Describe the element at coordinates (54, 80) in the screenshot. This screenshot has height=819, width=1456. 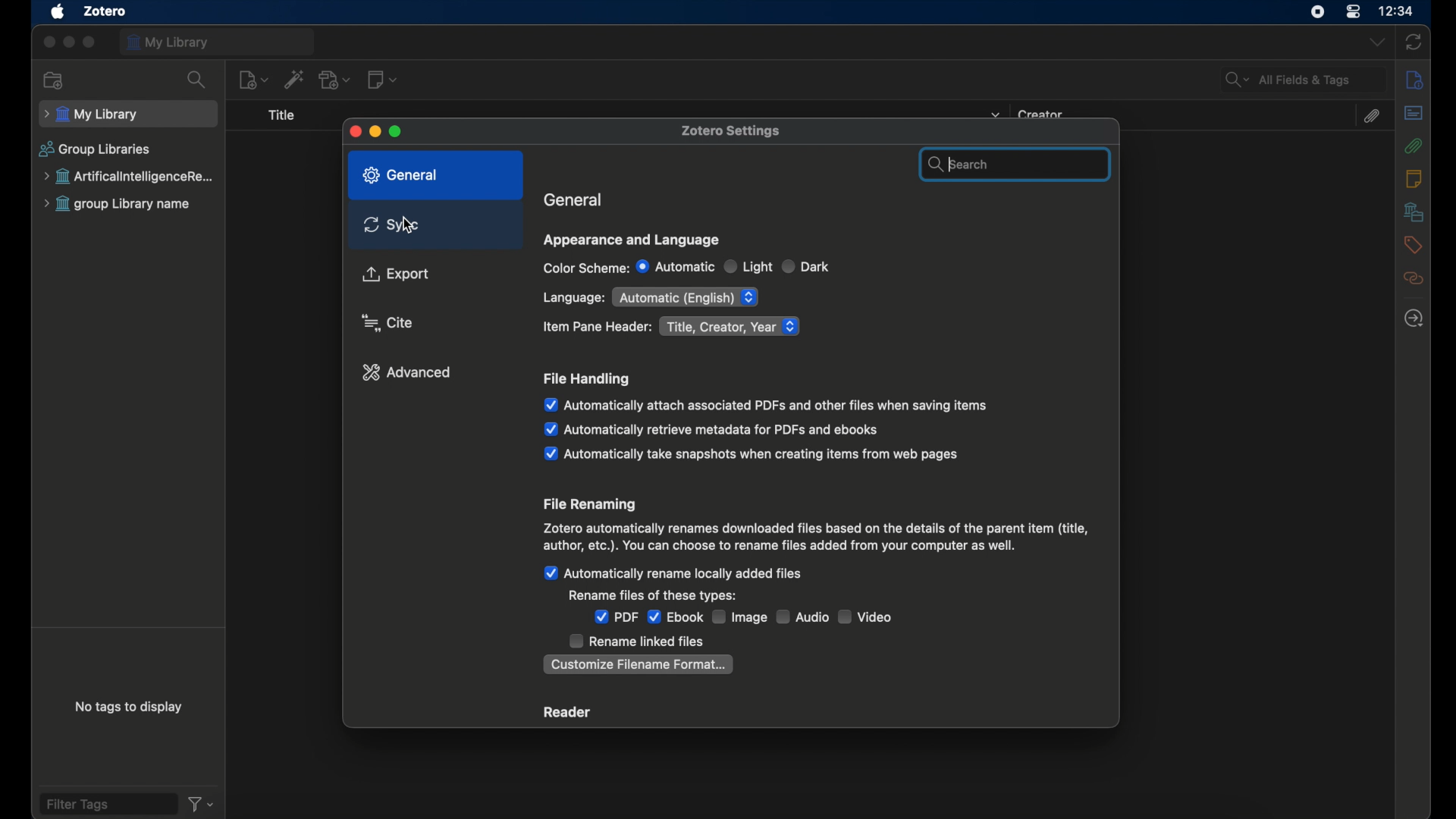
I see `new collection` at that location.